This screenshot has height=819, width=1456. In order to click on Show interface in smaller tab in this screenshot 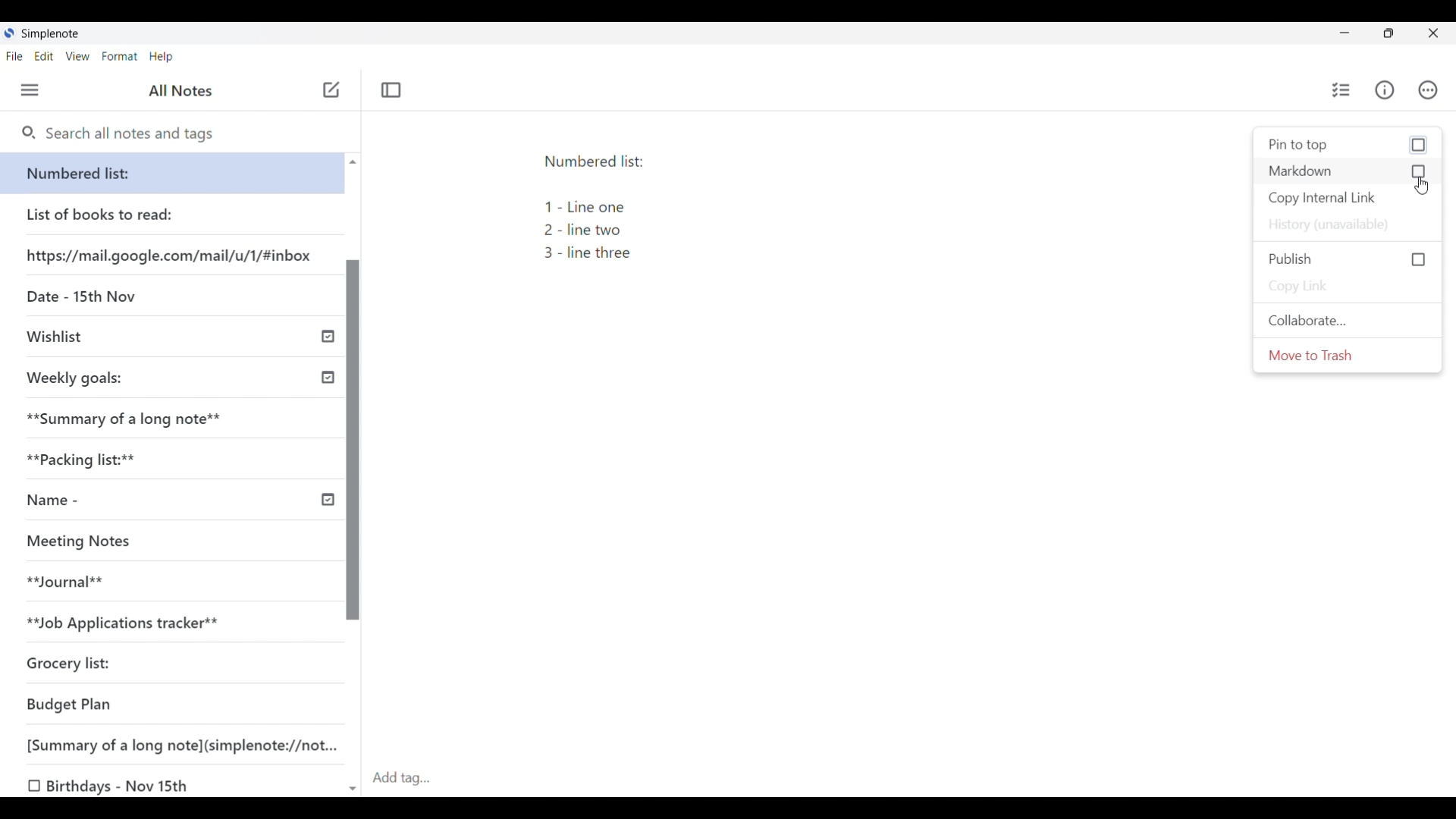, I will do `click(1389, 33)`.